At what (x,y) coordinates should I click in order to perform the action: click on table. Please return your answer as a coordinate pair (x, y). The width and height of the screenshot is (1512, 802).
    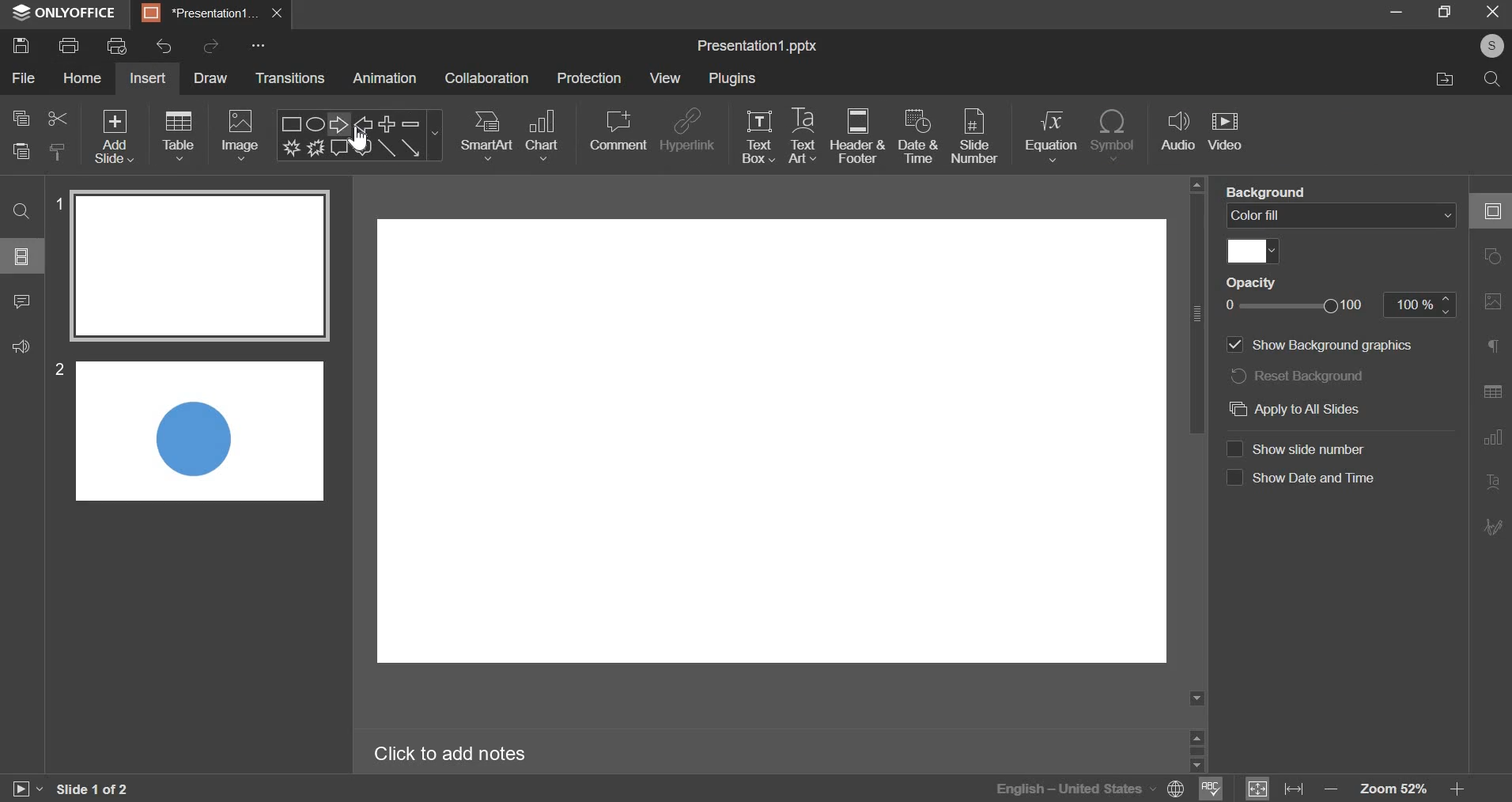
    Looking at the image, I should click on (178, 136).